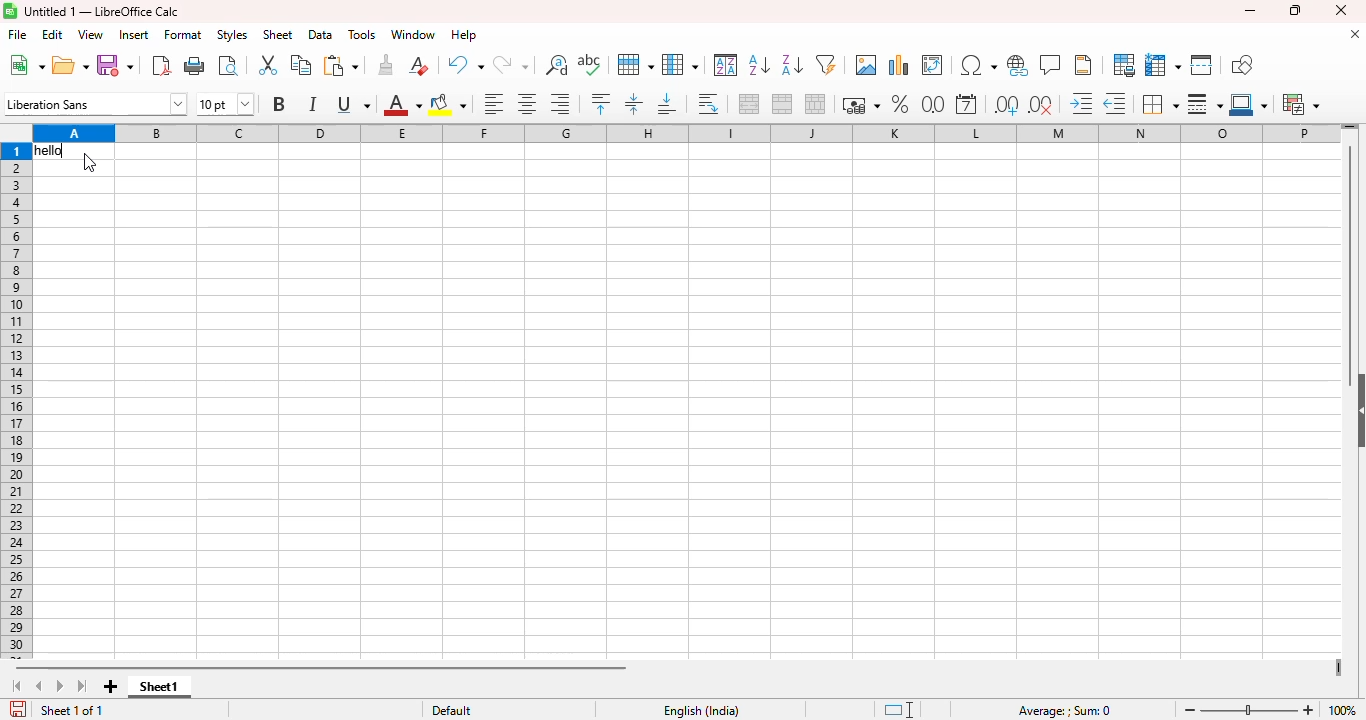 The width and height of the screenshot is (1366, 720). I want to click on align left, so click(493, 104).